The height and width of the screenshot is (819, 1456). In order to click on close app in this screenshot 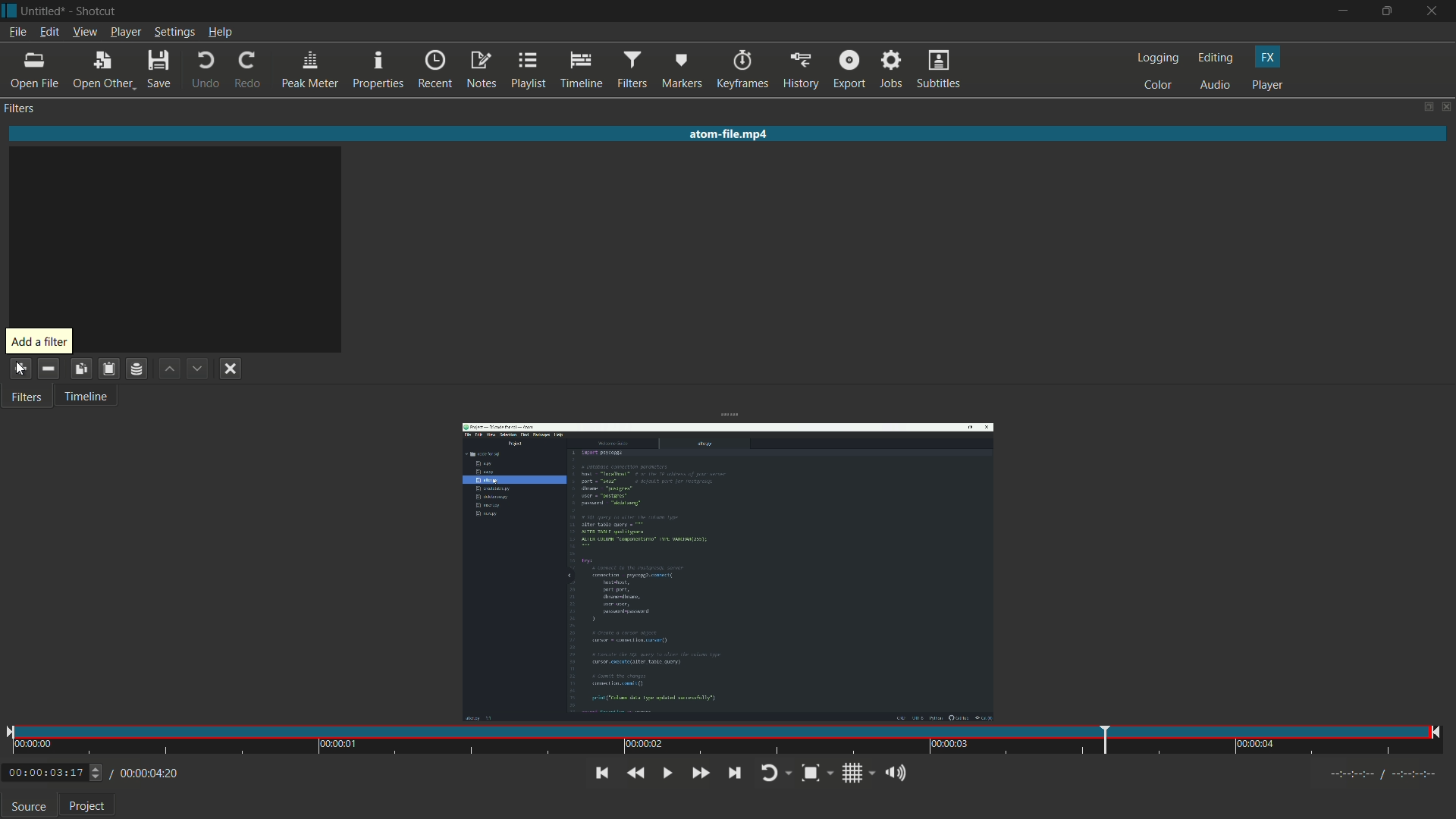, I will do `click(1436, 11)`.